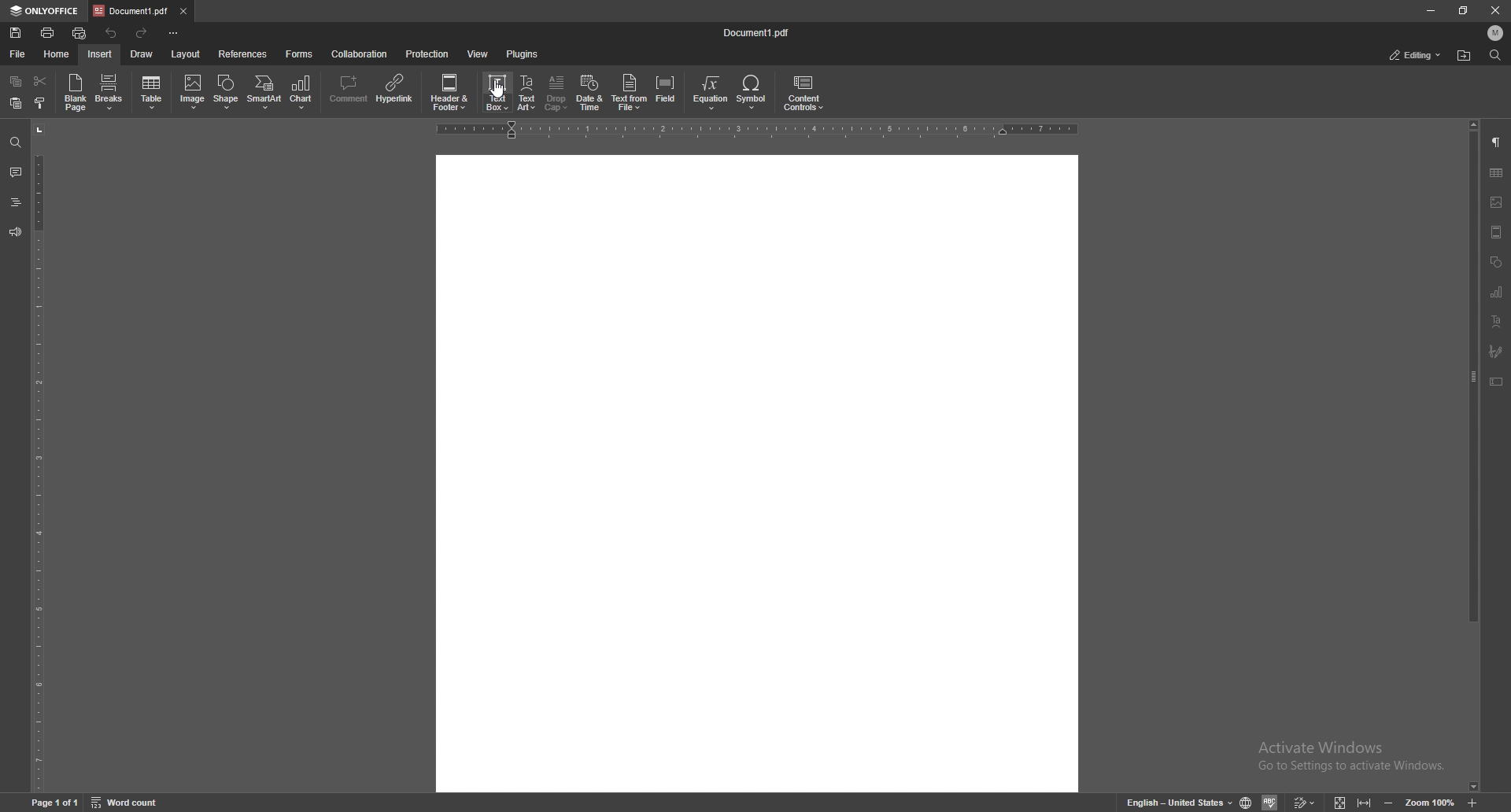  I want to click on view, so click(478, 54).